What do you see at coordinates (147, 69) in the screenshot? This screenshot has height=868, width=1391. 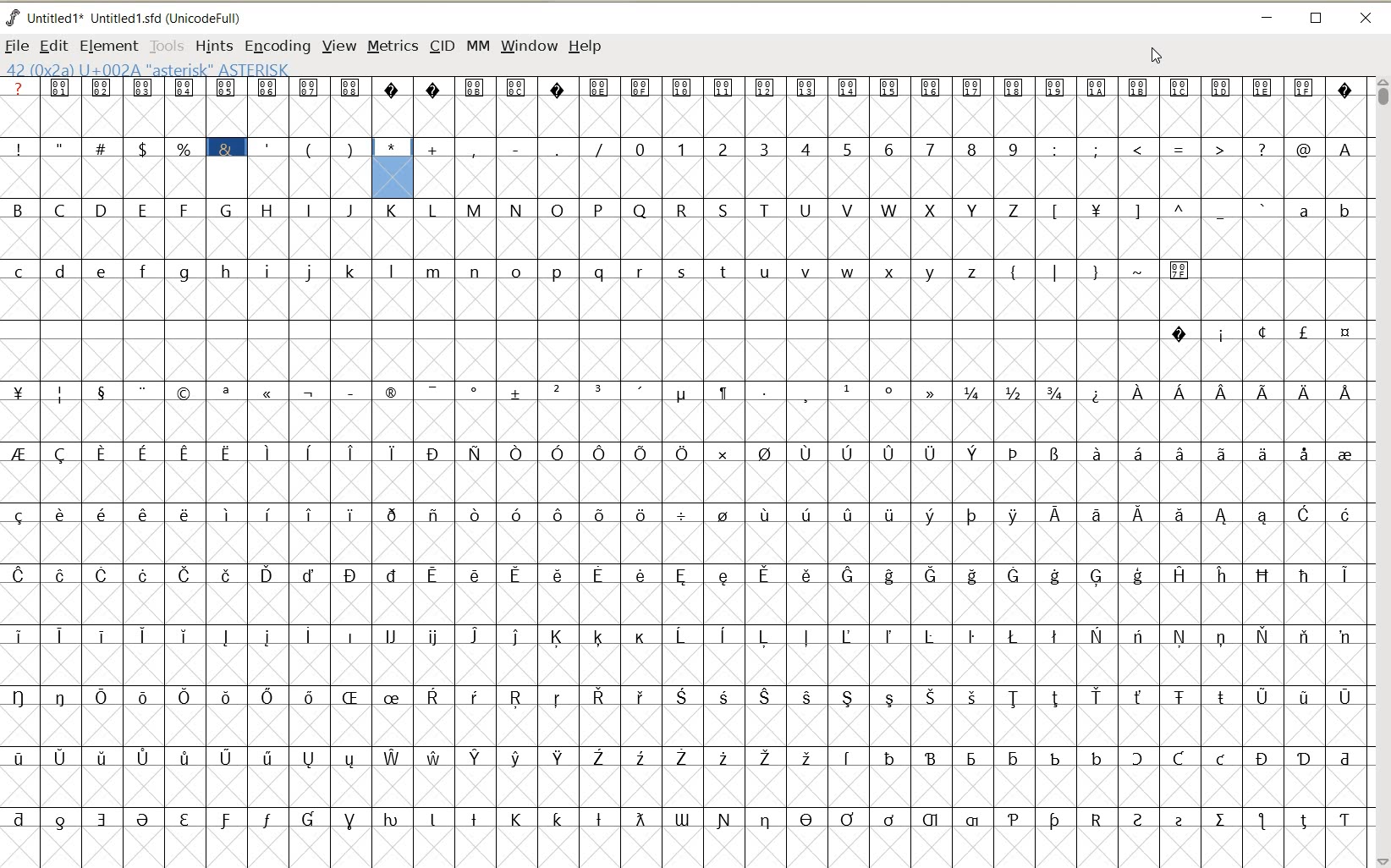 I see `42 (0x2A) U+002A "Asterisk" ASTERISK` at bounding box center [147, 69].